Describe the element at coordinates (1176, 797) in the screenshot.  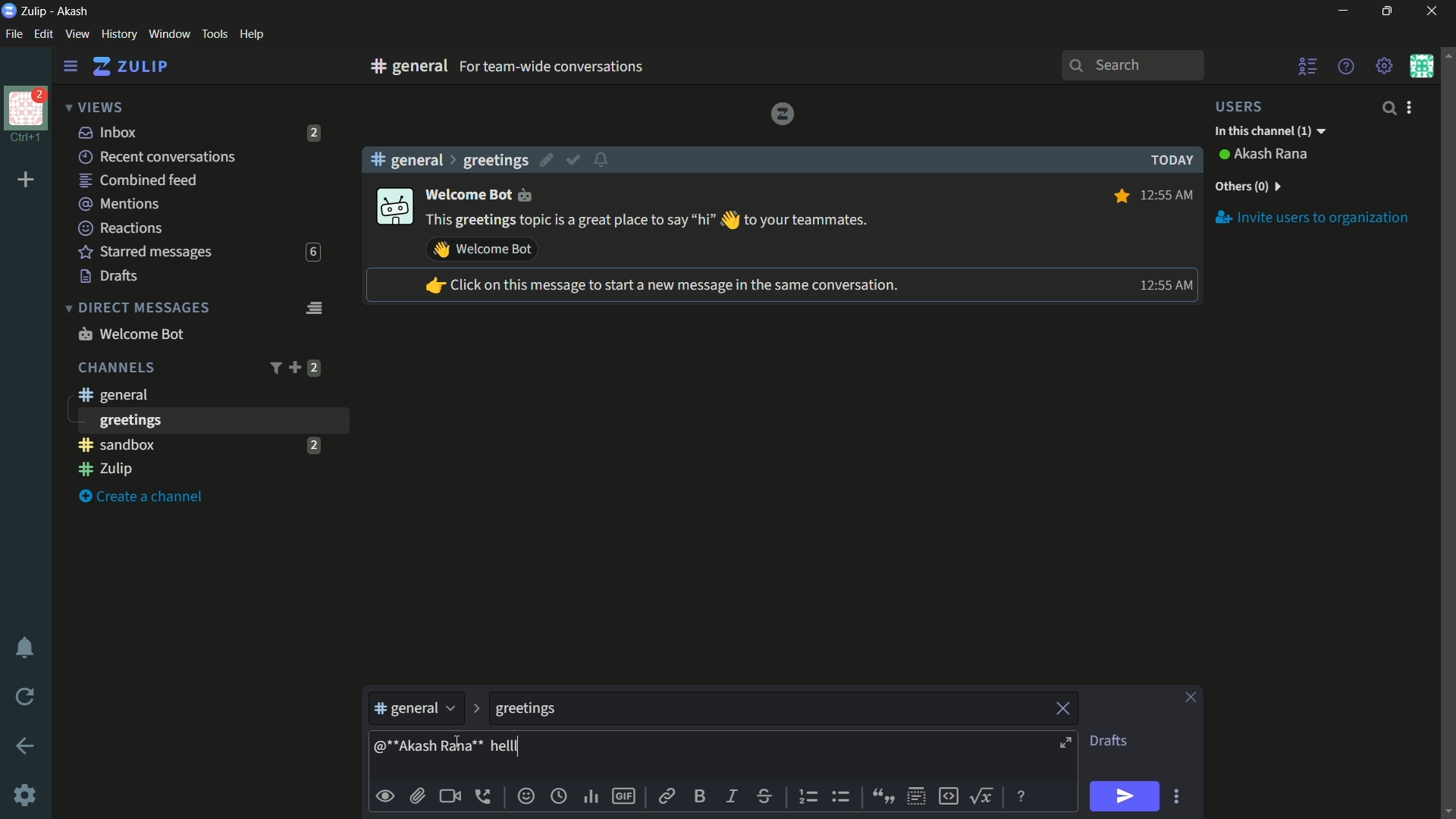
I see `send options` at that location.